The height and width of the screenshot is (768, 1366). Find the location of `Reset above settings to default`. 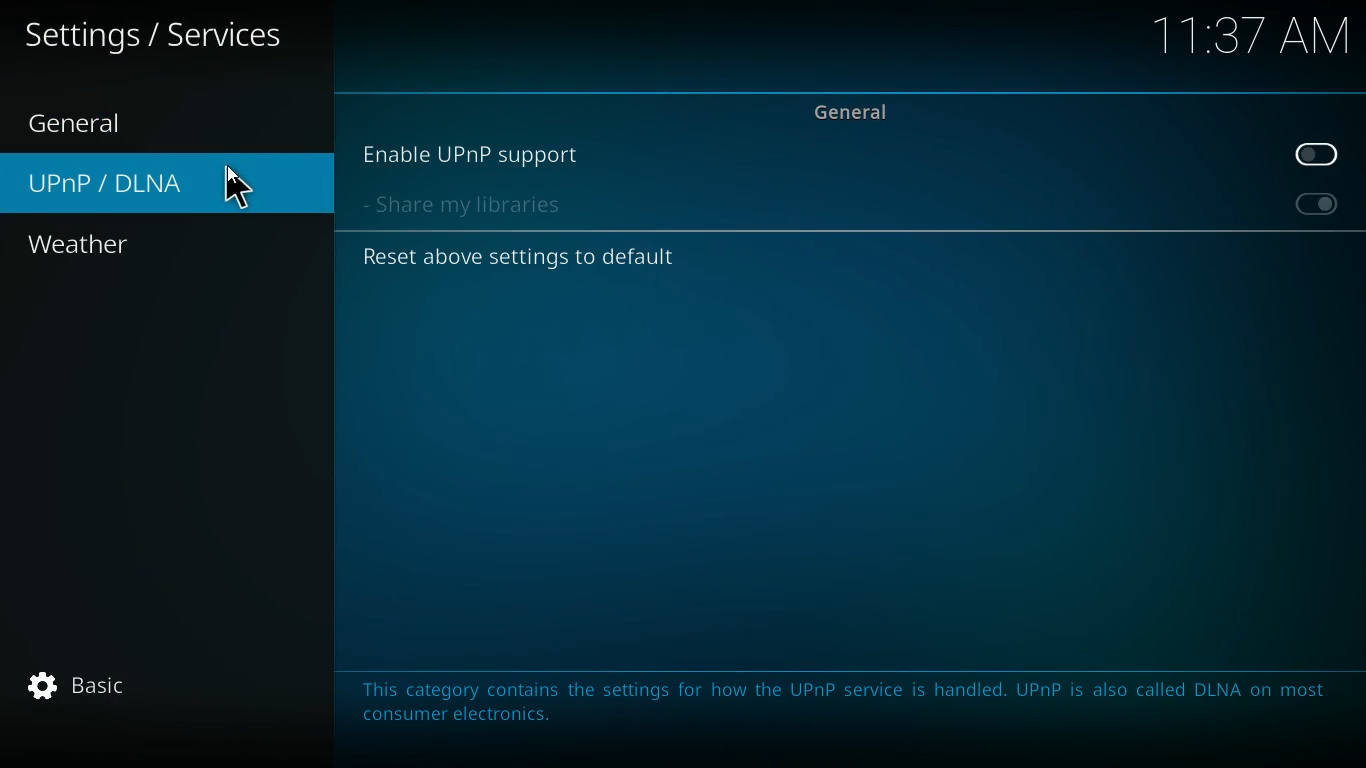

Reset above settings to default is located at coordinates (523, 258).